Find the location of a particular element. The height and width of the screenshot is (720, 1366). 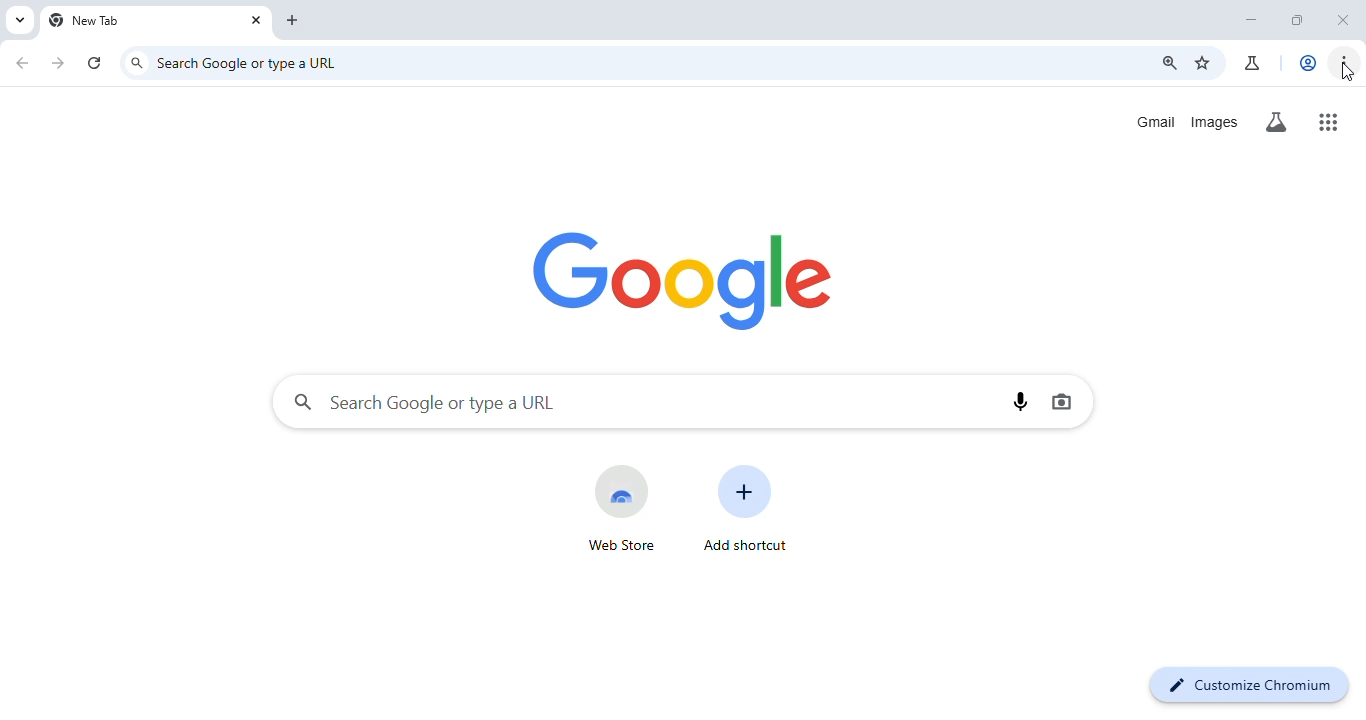

customize chromium is located at coordinates (1248, 683).